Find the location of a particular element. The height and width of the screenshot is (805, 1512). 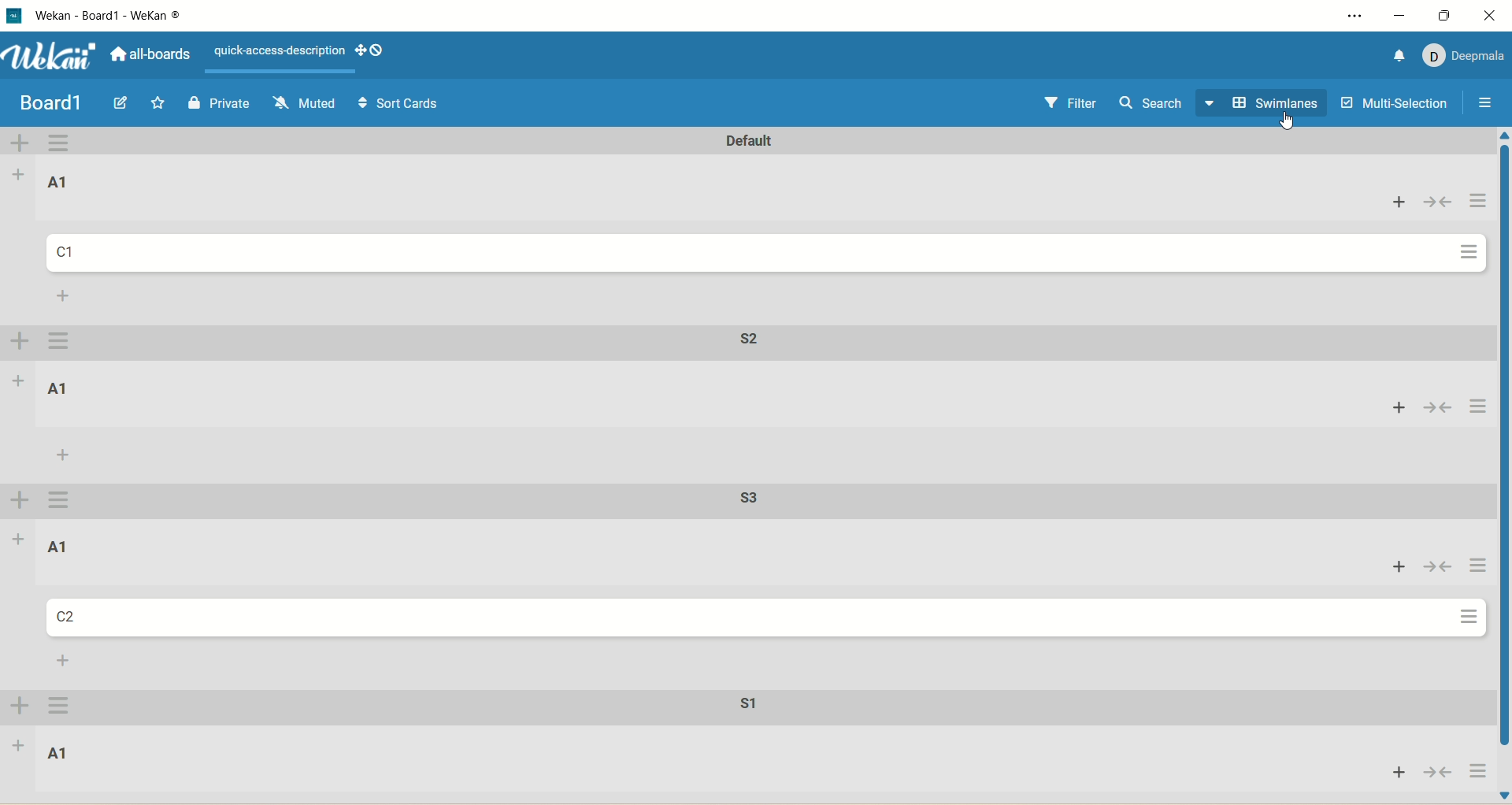

swimlane actions is located at coordinates (64, 342).